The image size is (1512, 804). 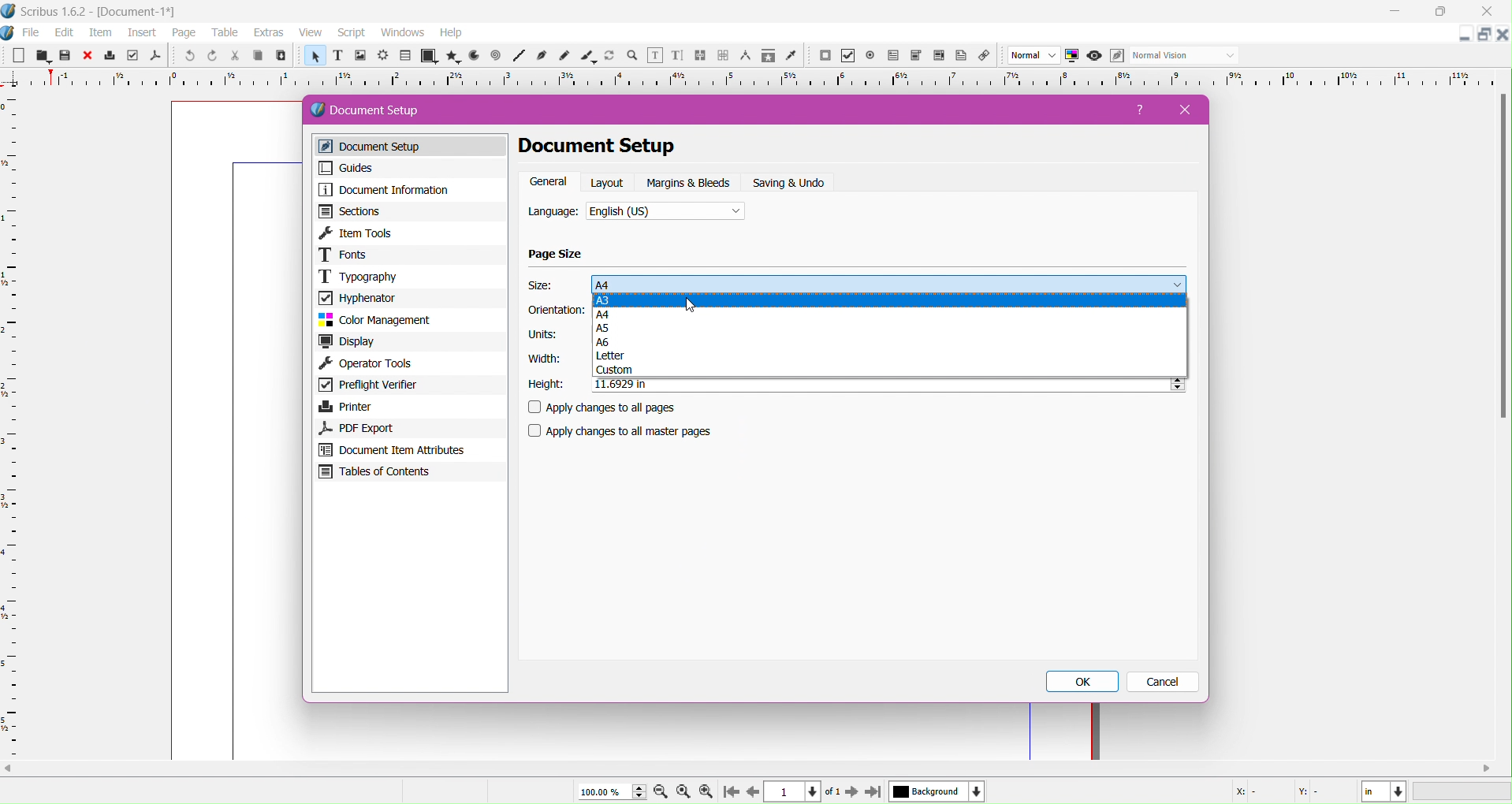 I want to click on Operator Tools, so click(x=411, y=364).